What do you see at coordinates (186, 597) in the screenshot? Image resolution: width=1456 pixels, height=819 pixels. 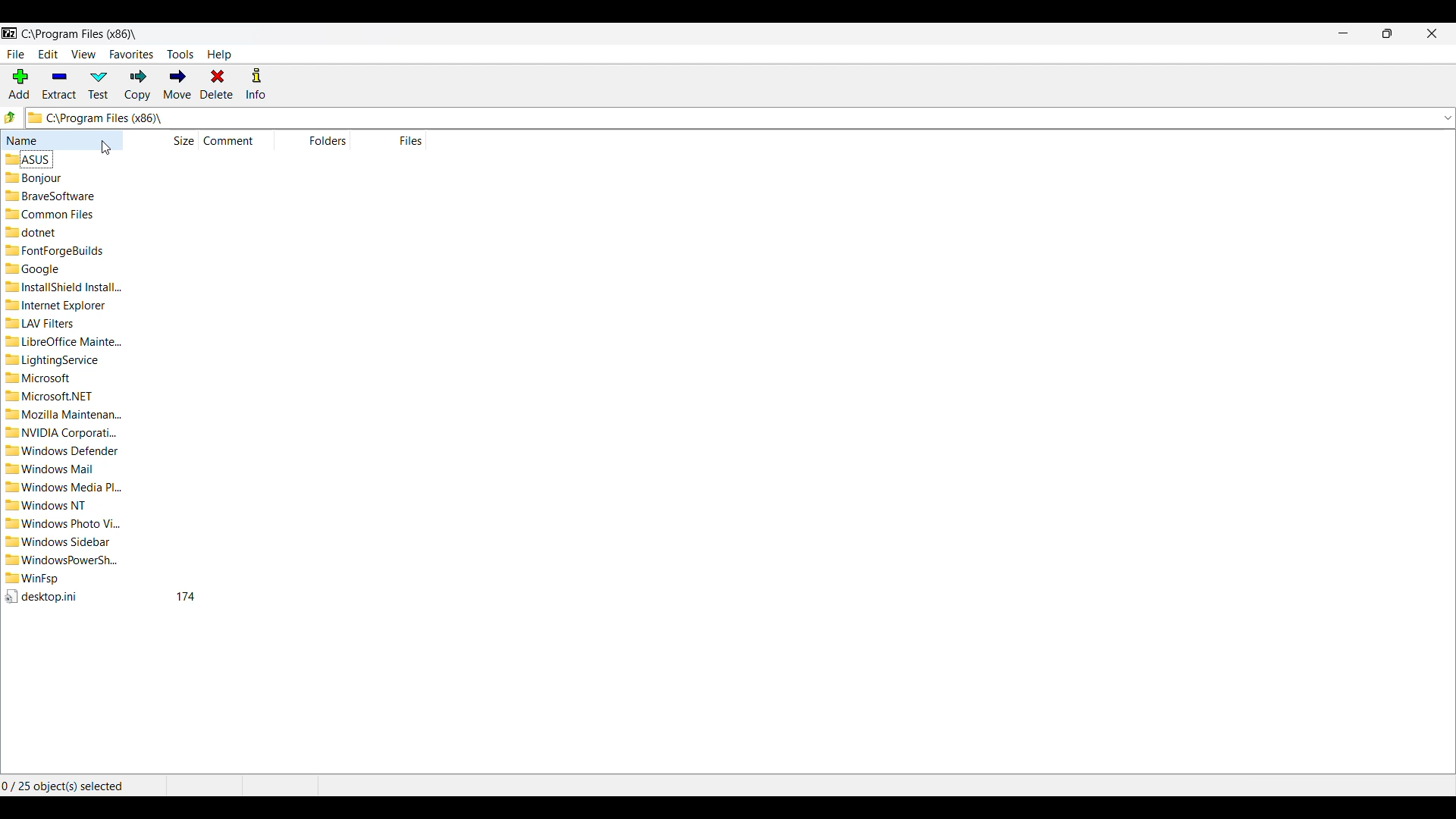 I see `1` at bounding box center [186, 597].